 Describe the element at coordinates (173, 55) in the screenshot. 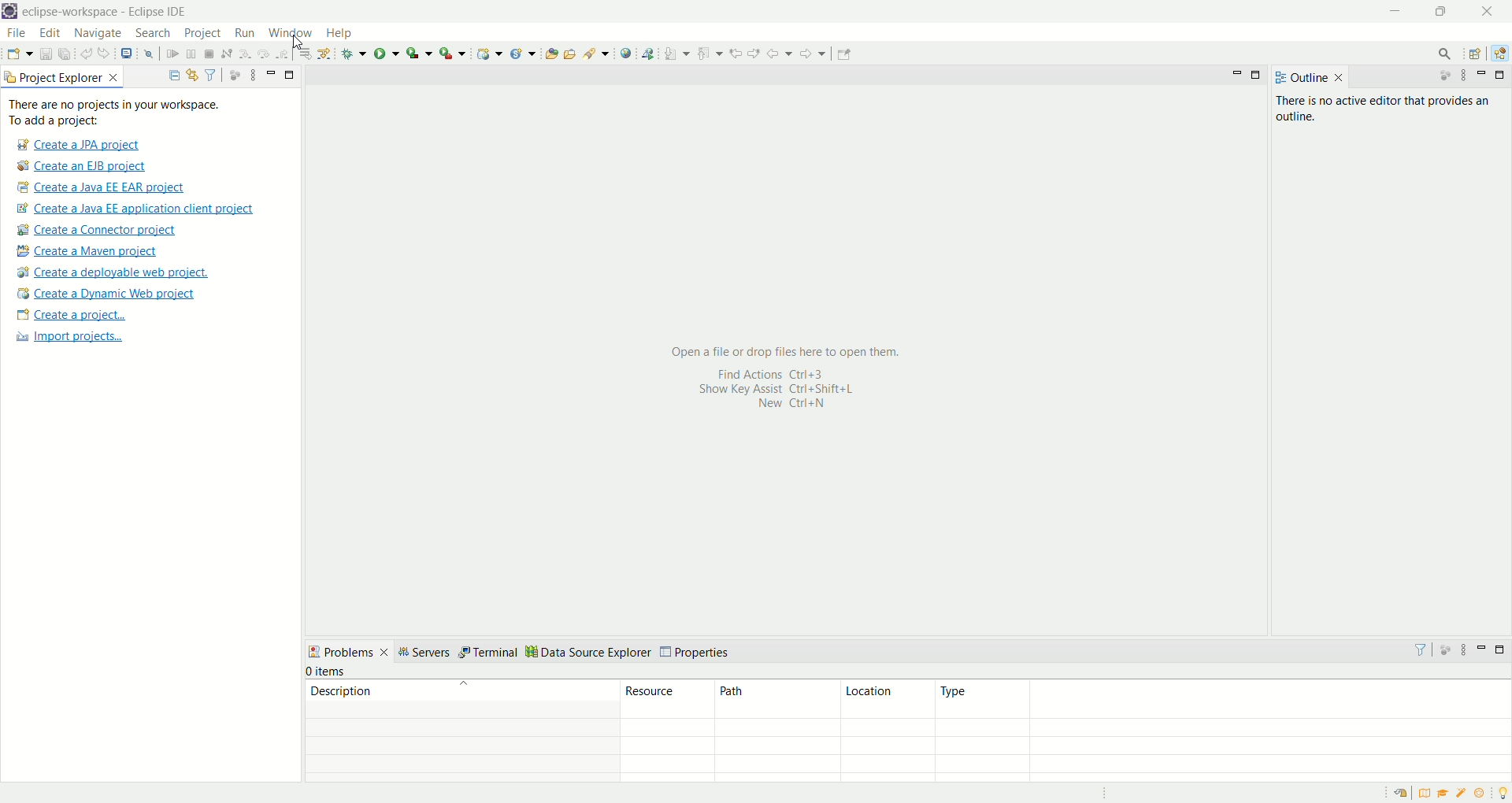

I see `resume` at that location.